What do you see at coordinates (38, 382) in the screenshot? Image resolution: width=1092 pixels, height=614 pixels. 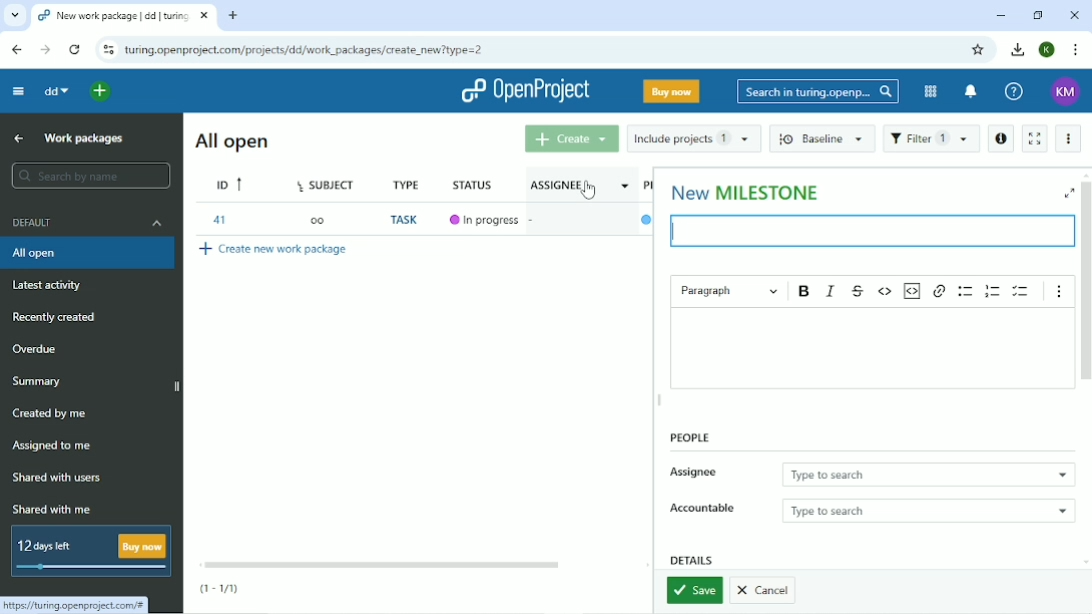 I see `Summary` at bounding box center [38, 382].